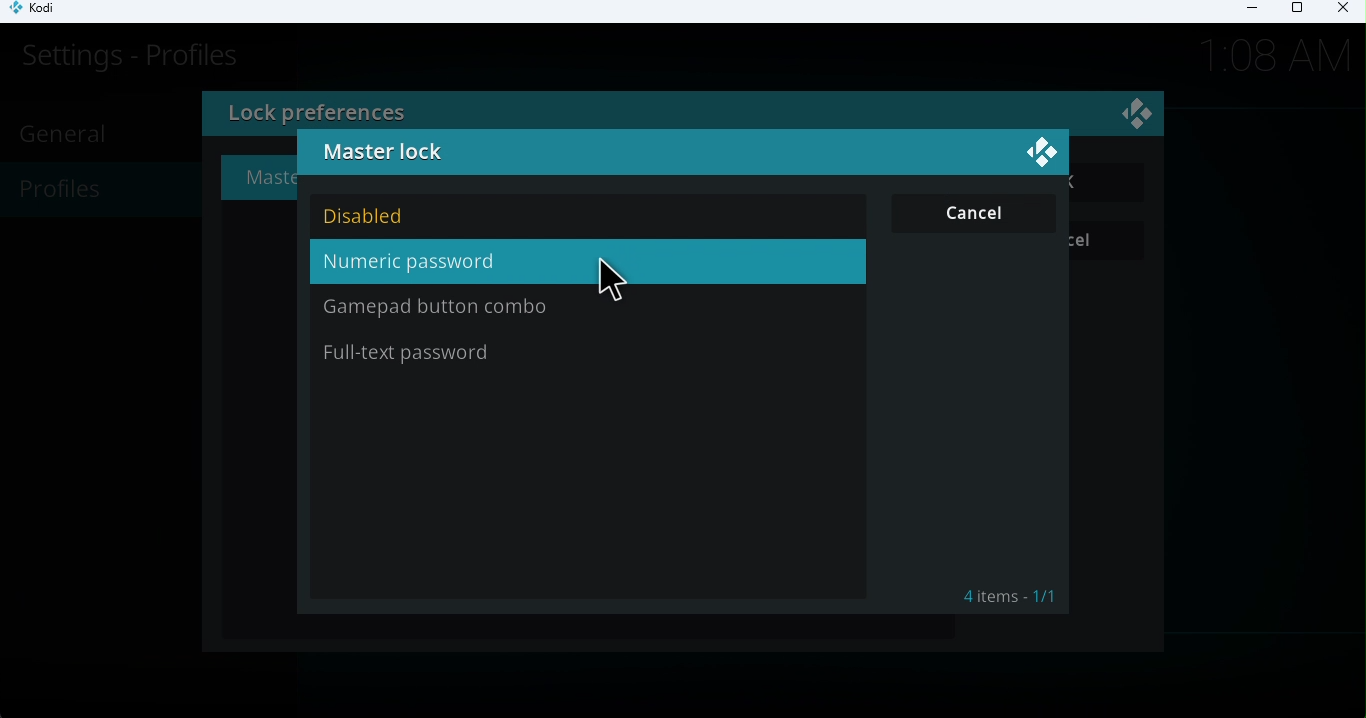  What do you see at coordinates (333, 104) in the screenshot?
I see `Lock preferences` at bounding box center [333, 104].